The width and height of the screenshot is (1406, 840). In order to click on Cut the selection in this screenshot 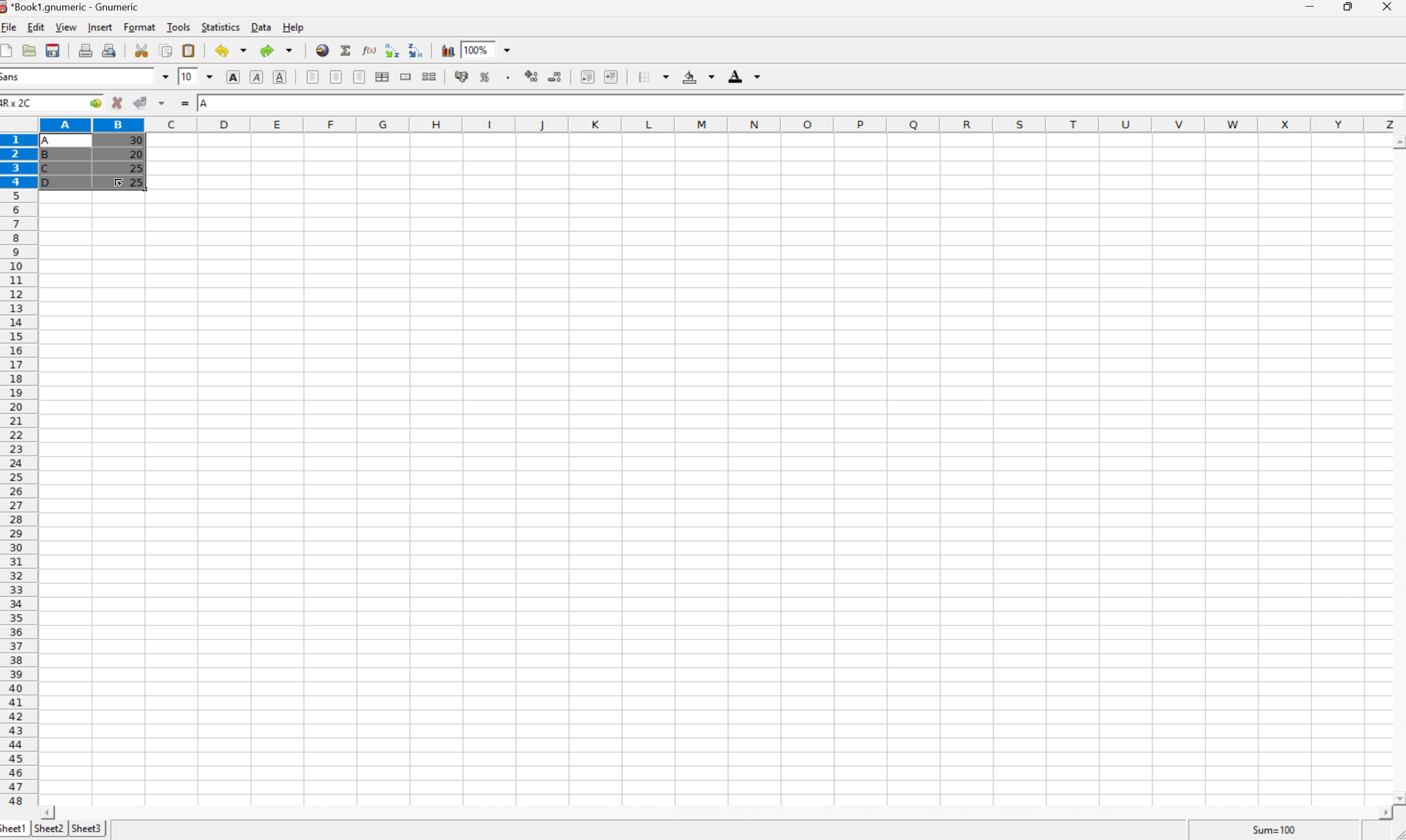, I will do `click(144, 50)`.